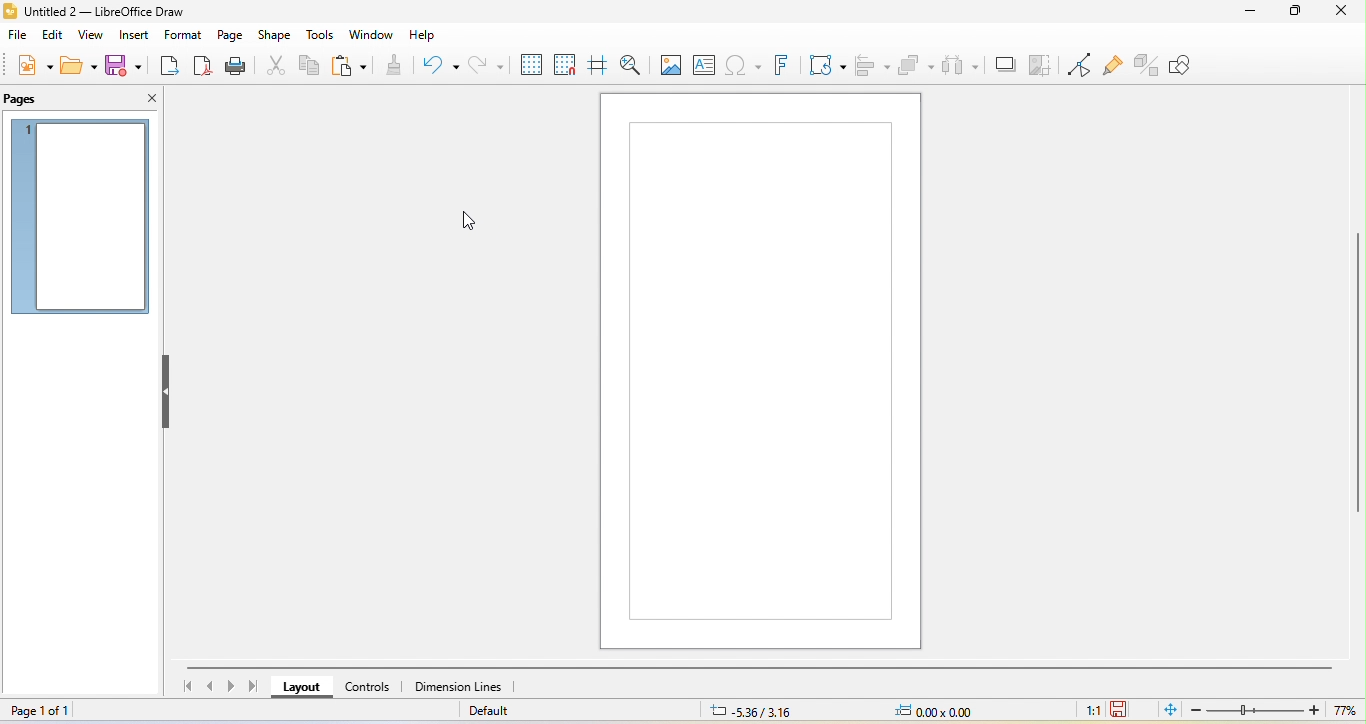 This screenshot has width=1366, height=724. I want to click on fit page to current window, so click(1169, 709).